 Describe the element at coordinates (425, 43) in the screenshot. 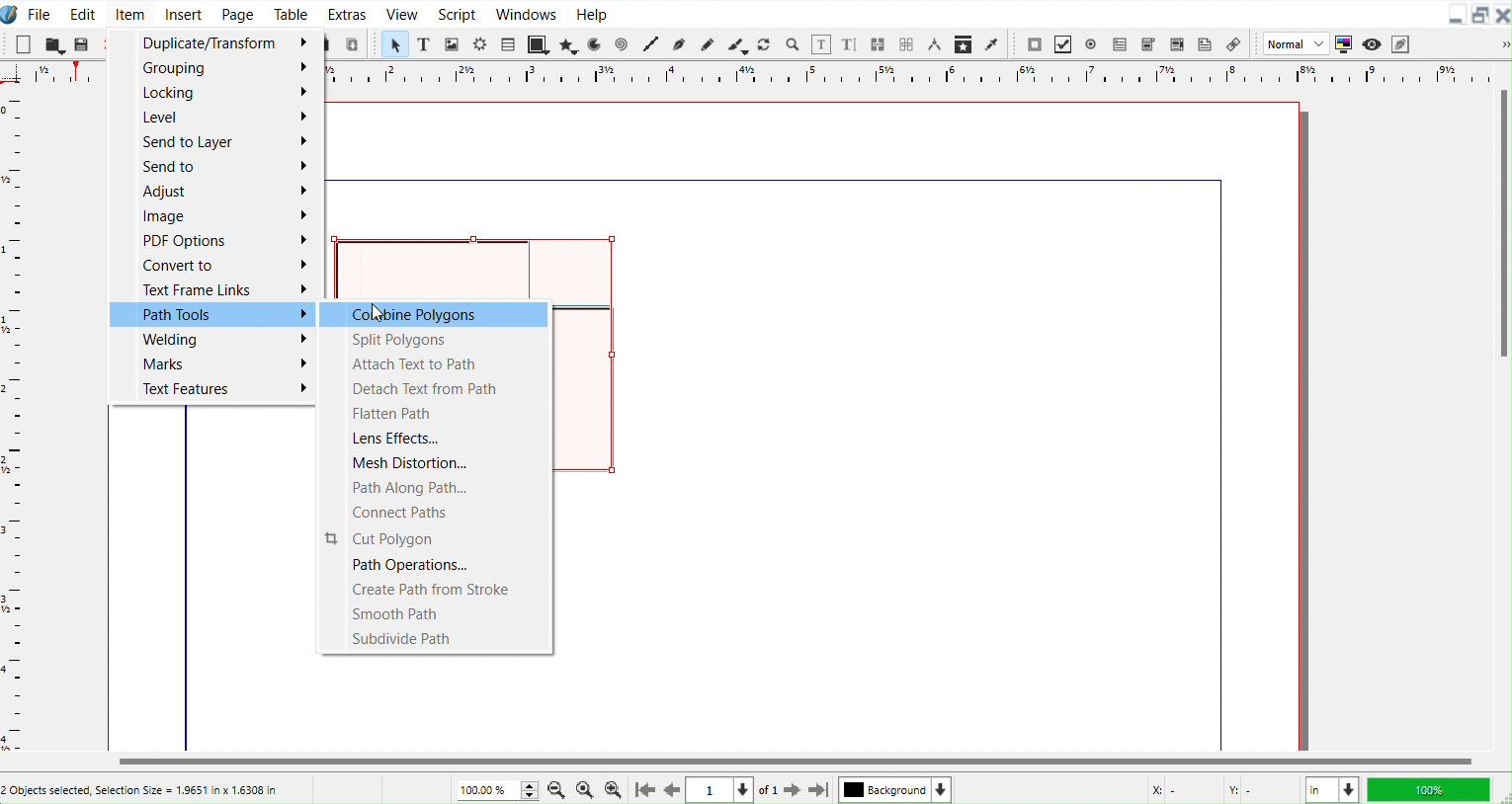

I see `Text Frame` at that location.